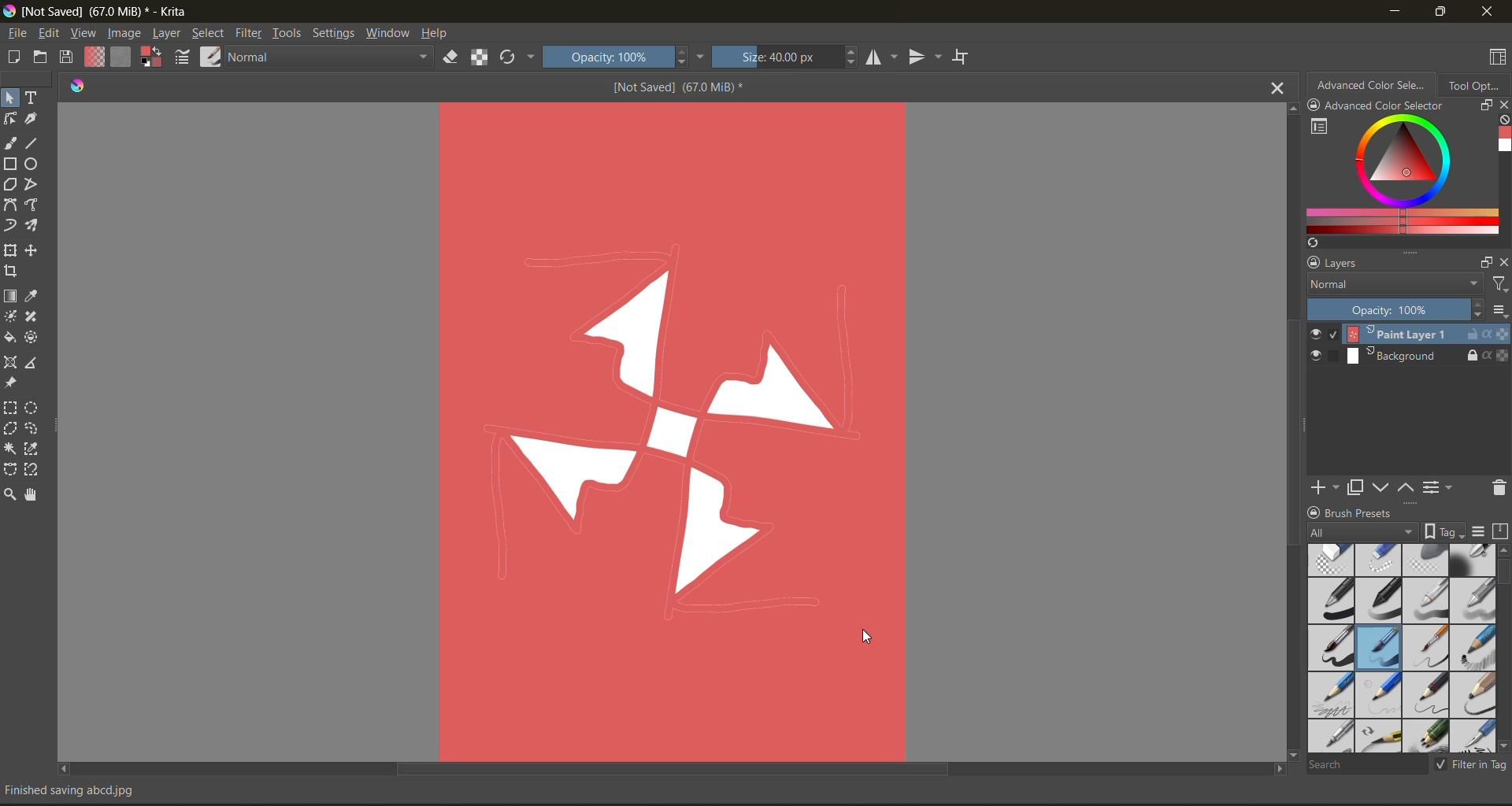 This screenshot has height=806, width=1512. What do you see at coordinates (35, 338) in the screenshot?
I see `tools` at bounding box center [35, 338].